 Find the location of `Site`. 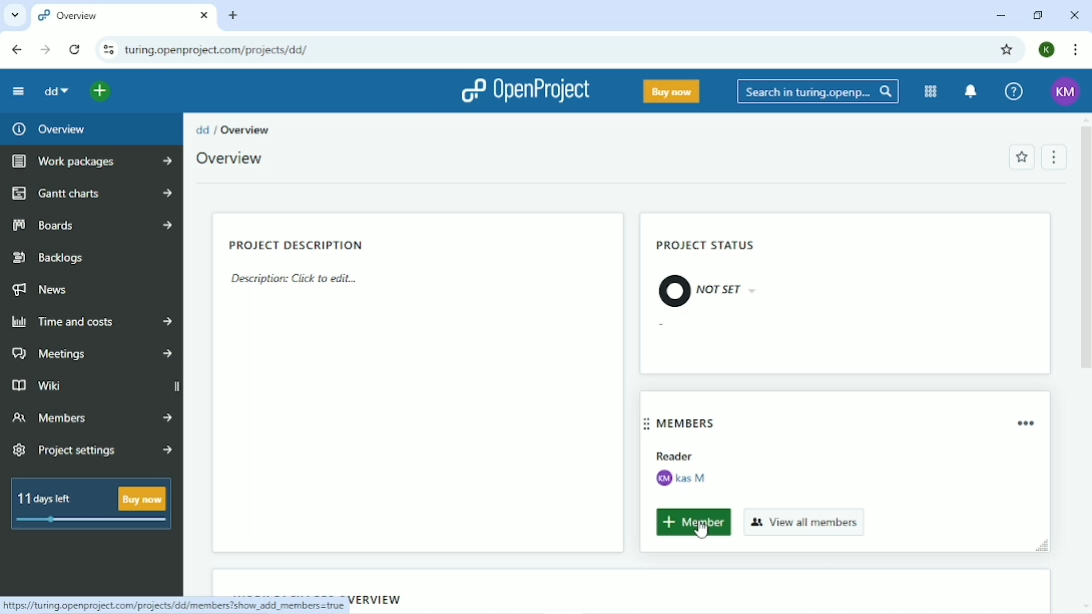

Site is located at coordinates (218, 50).